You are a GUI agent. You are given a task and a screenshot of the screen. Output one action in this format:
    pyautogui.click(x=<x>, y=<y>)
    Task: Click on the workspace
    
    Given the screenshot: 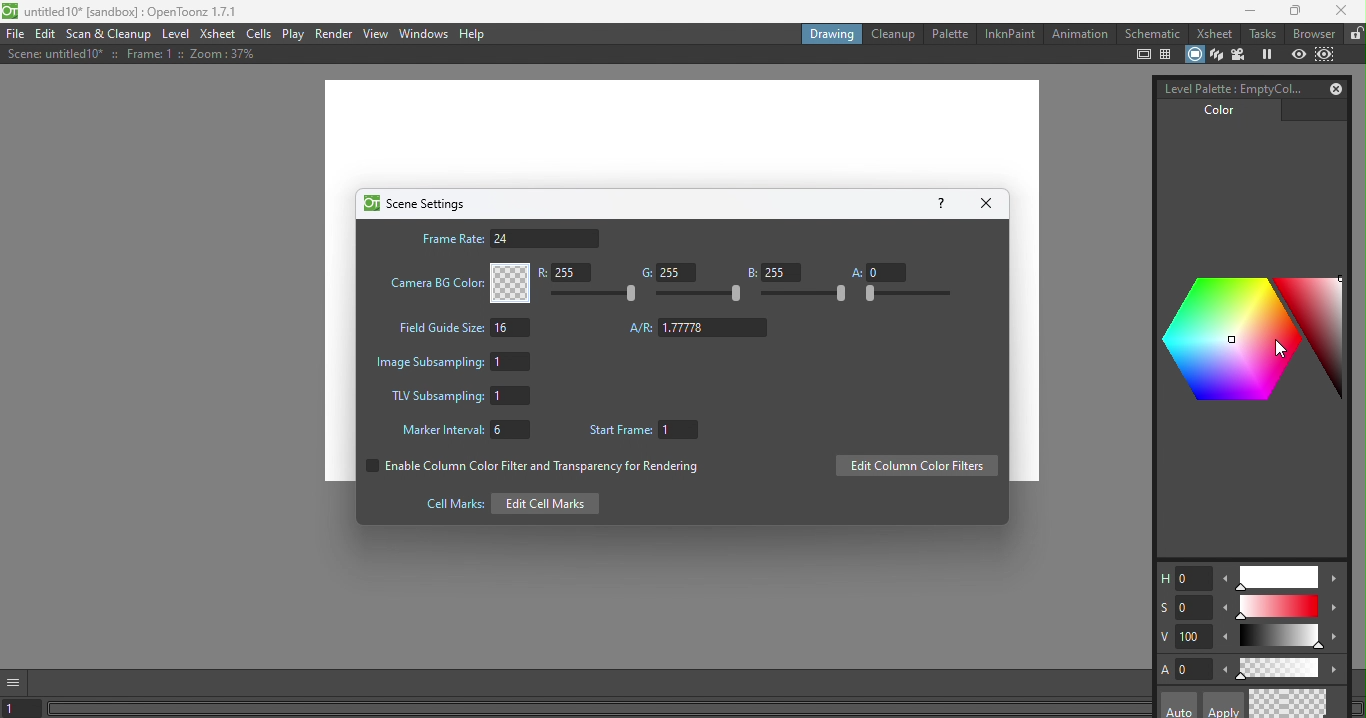 What is the action you would take?
    pyautogui.click(x=682, y=132)
    